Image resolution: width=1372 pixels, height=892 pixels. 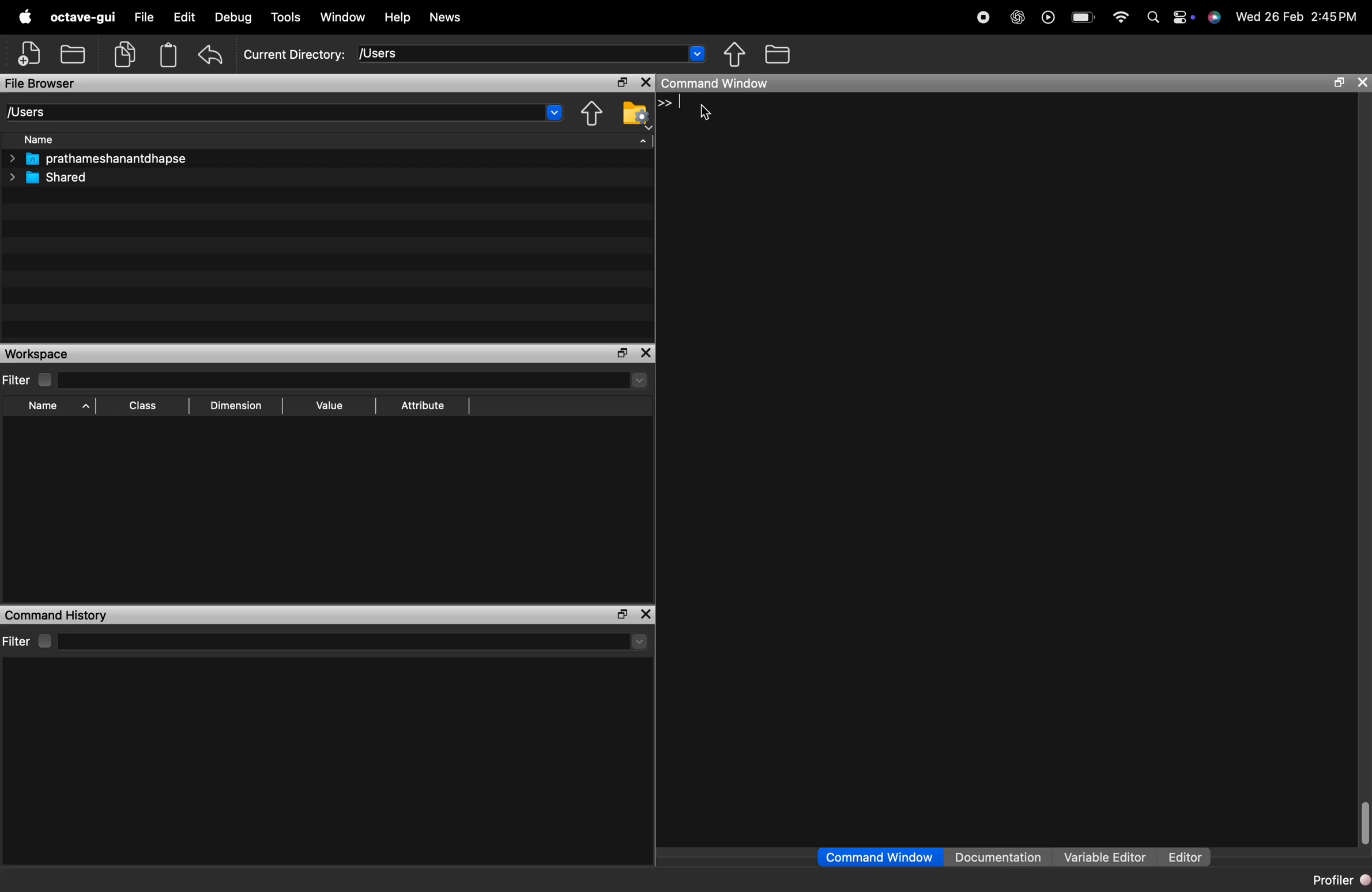 What do you see at coordinates (47, 139) in the screenshot?
I see `Name` at bounding box center [47, 139].